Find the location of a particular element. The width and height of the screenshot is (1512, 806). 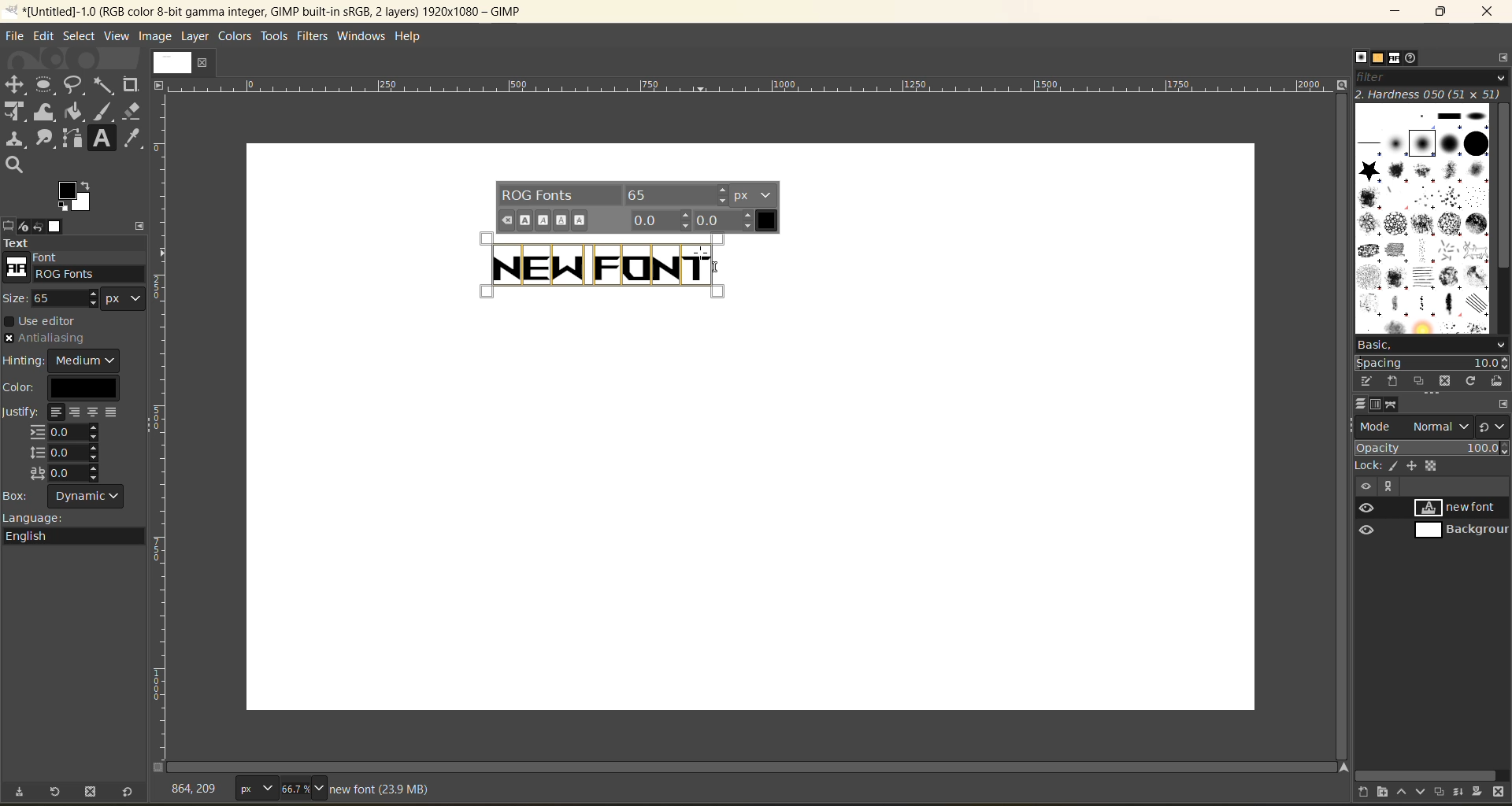

basic is located at coordinates (1432, 346).